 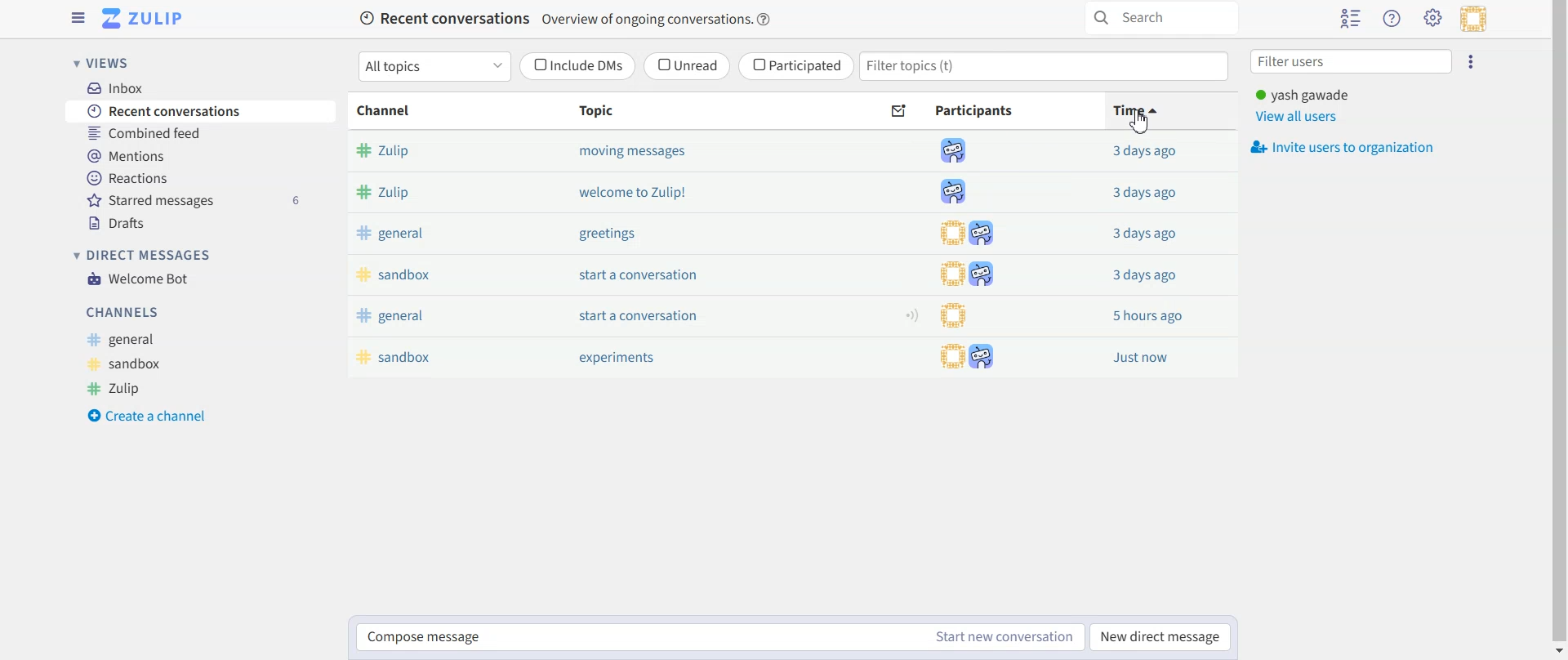 I want to click on Personal menu, so click(x=1476, y=19).